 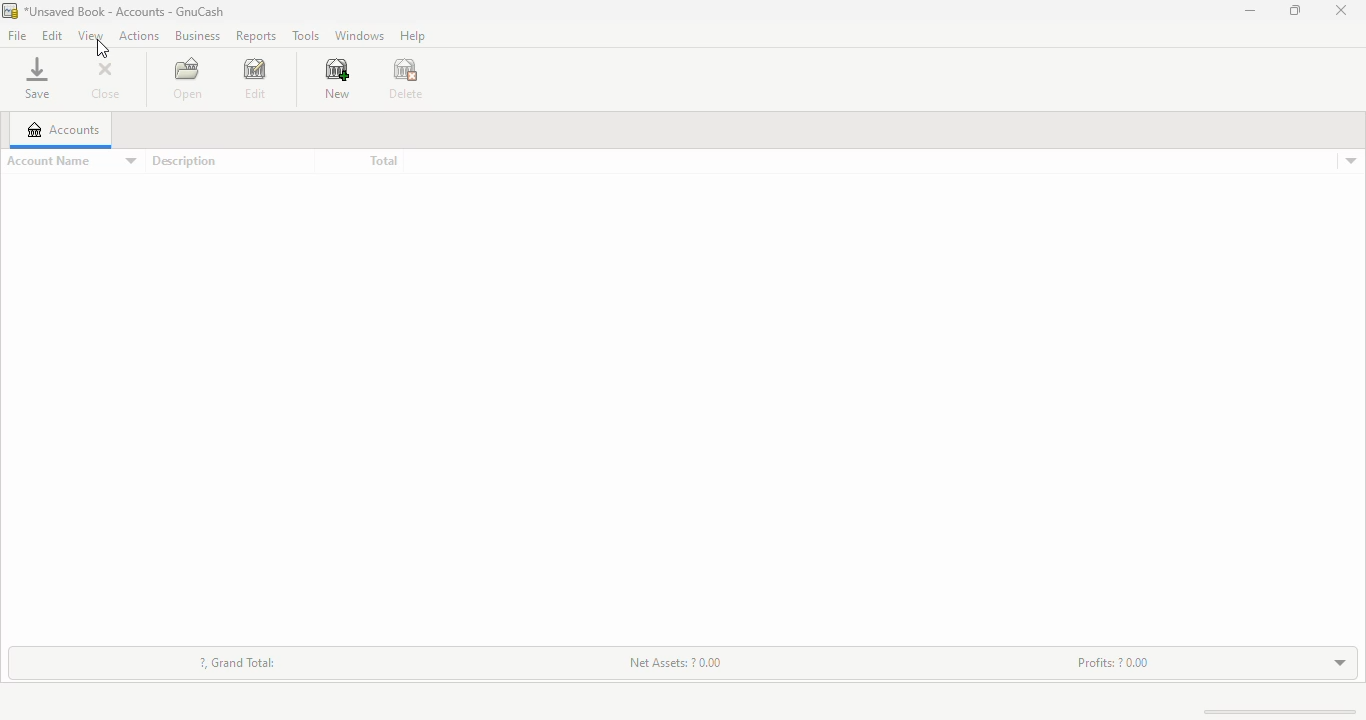 I want to click on close, so click(x=1341, y=11).